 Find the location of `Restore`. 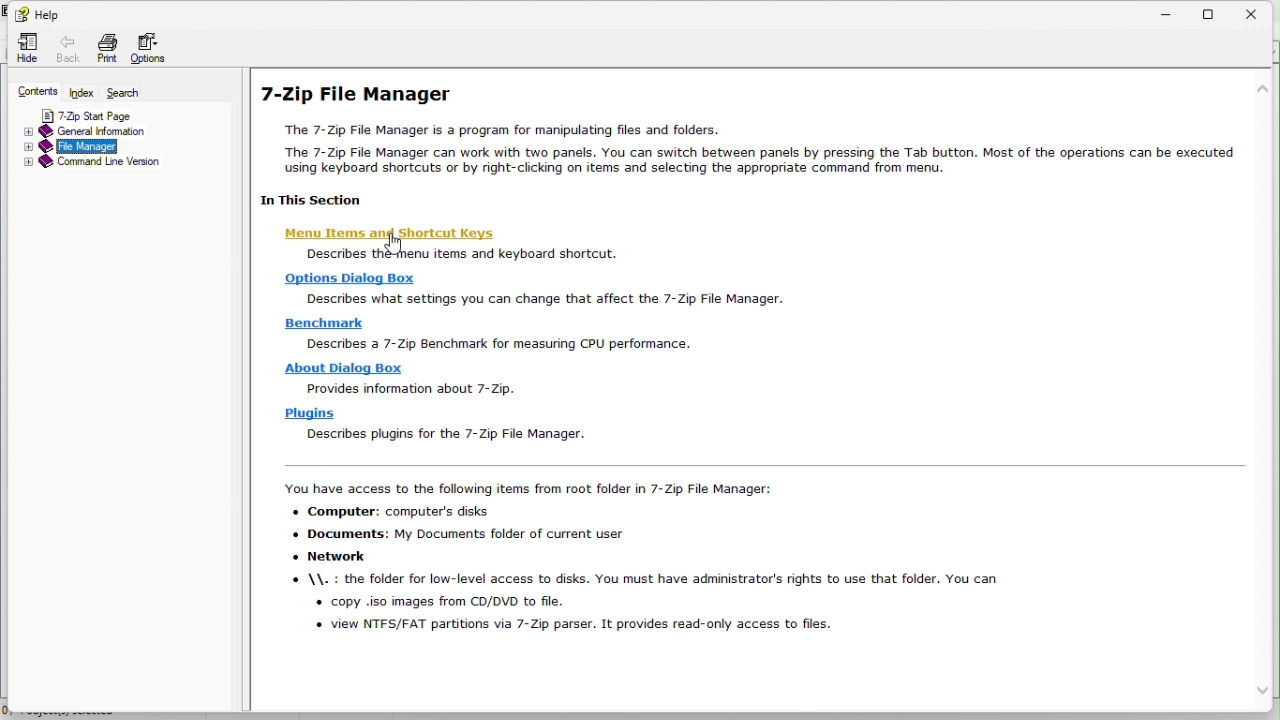

Restore is located at coordinates (1215, 12).